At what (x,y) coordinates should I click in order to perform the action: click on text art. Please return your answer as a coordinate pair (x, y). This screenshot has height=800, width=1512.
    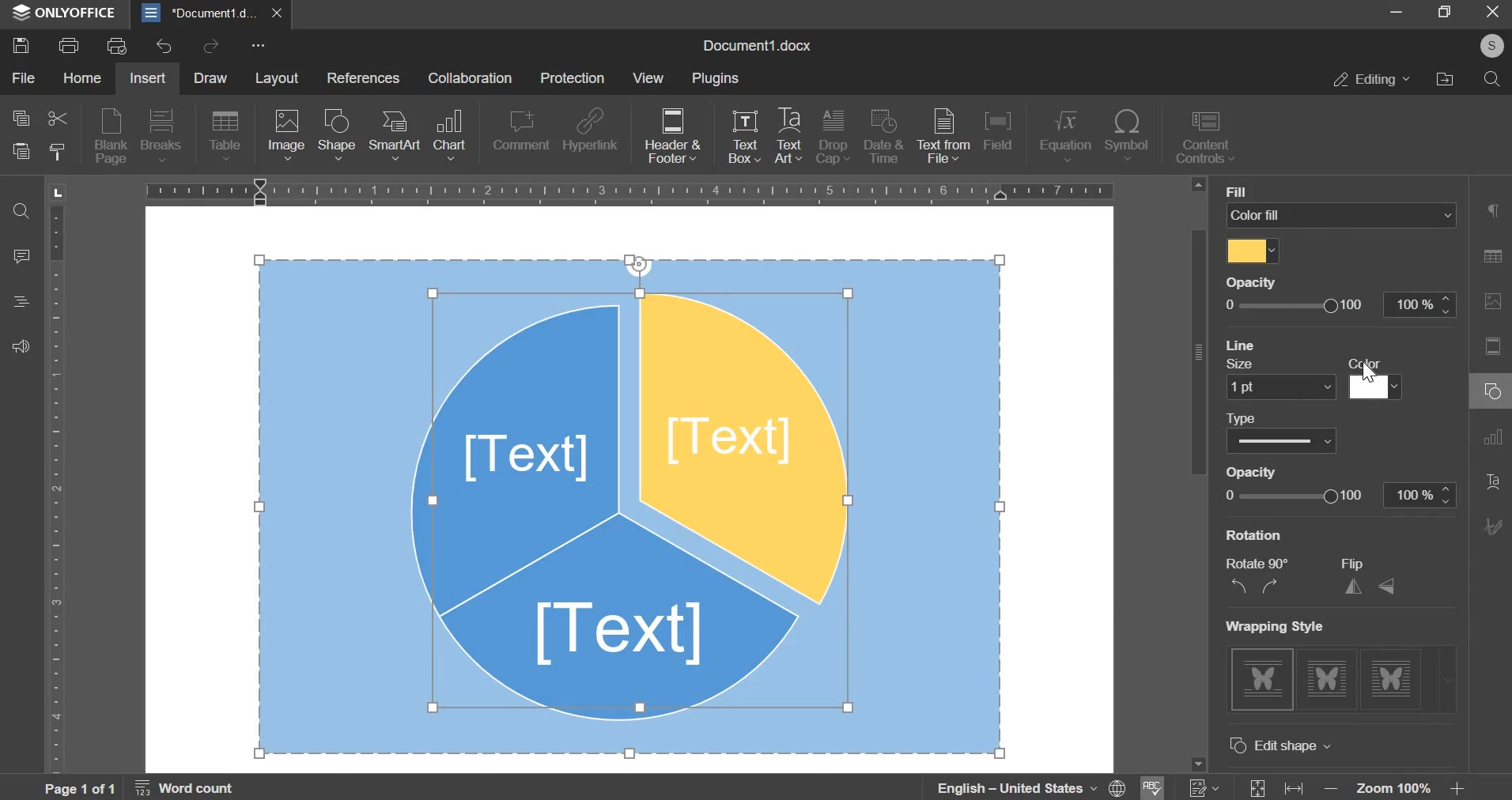
    Looking at the image, I should click on (788, 139).